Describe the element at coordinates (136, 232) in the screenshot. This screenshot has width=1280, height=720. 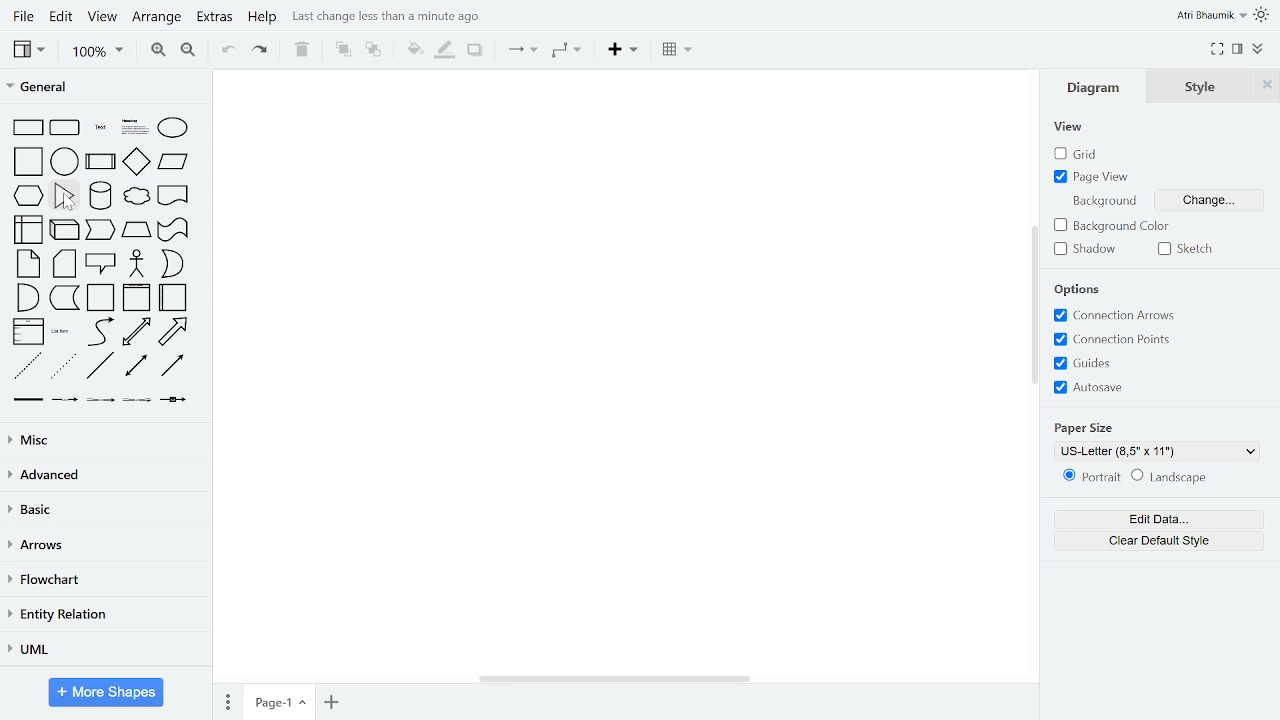
I see `trapezoid` at that location.